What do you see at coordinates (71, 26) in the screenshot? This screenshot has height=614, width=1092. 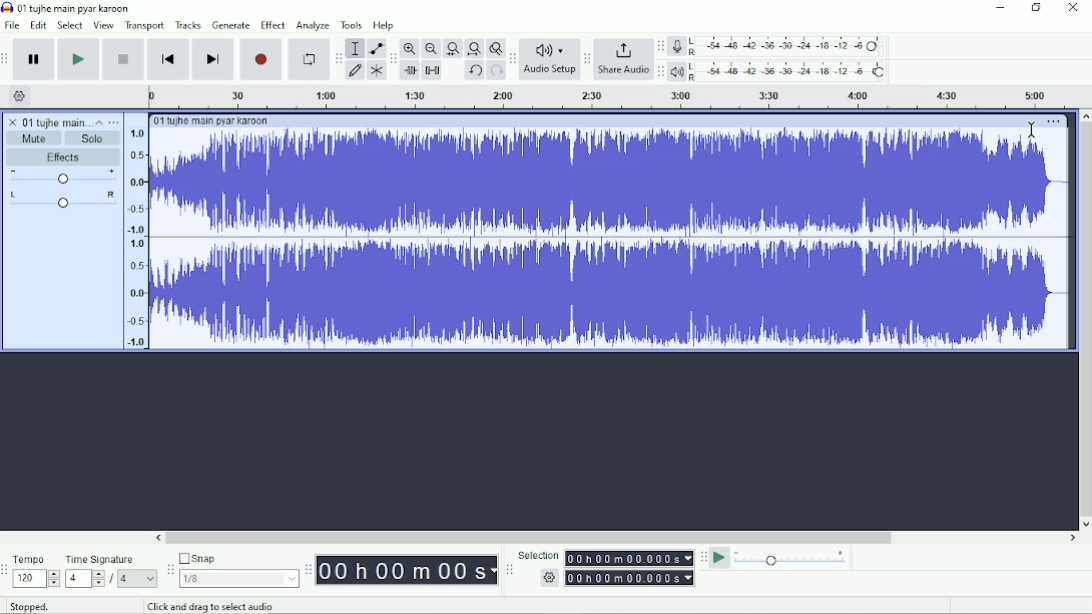 I see `Select` at bounding box center [71, 26].